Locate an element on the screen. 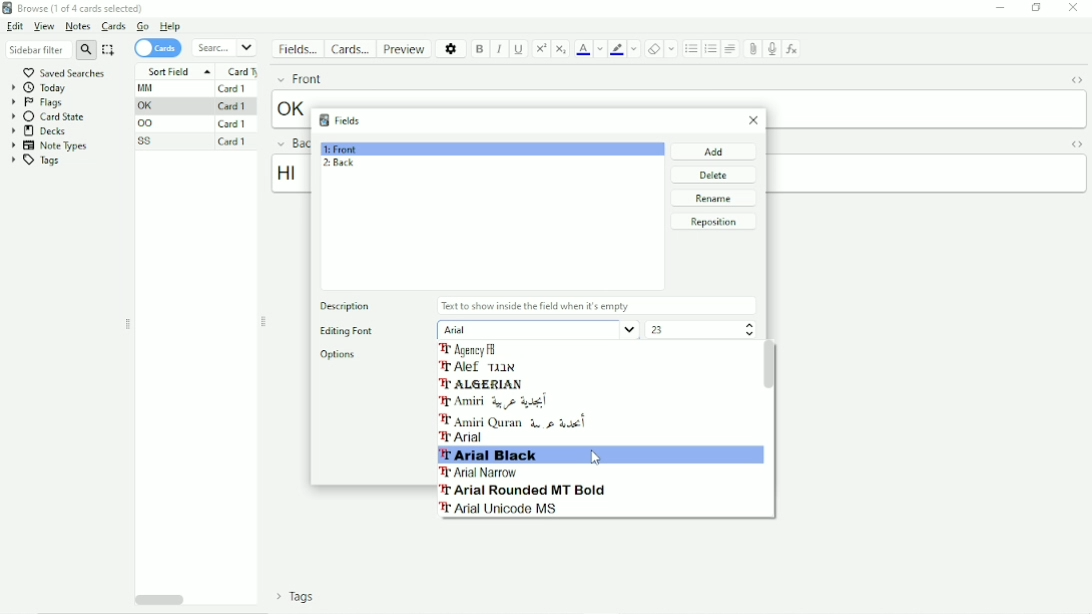  View is located at coordinates (43, 26).